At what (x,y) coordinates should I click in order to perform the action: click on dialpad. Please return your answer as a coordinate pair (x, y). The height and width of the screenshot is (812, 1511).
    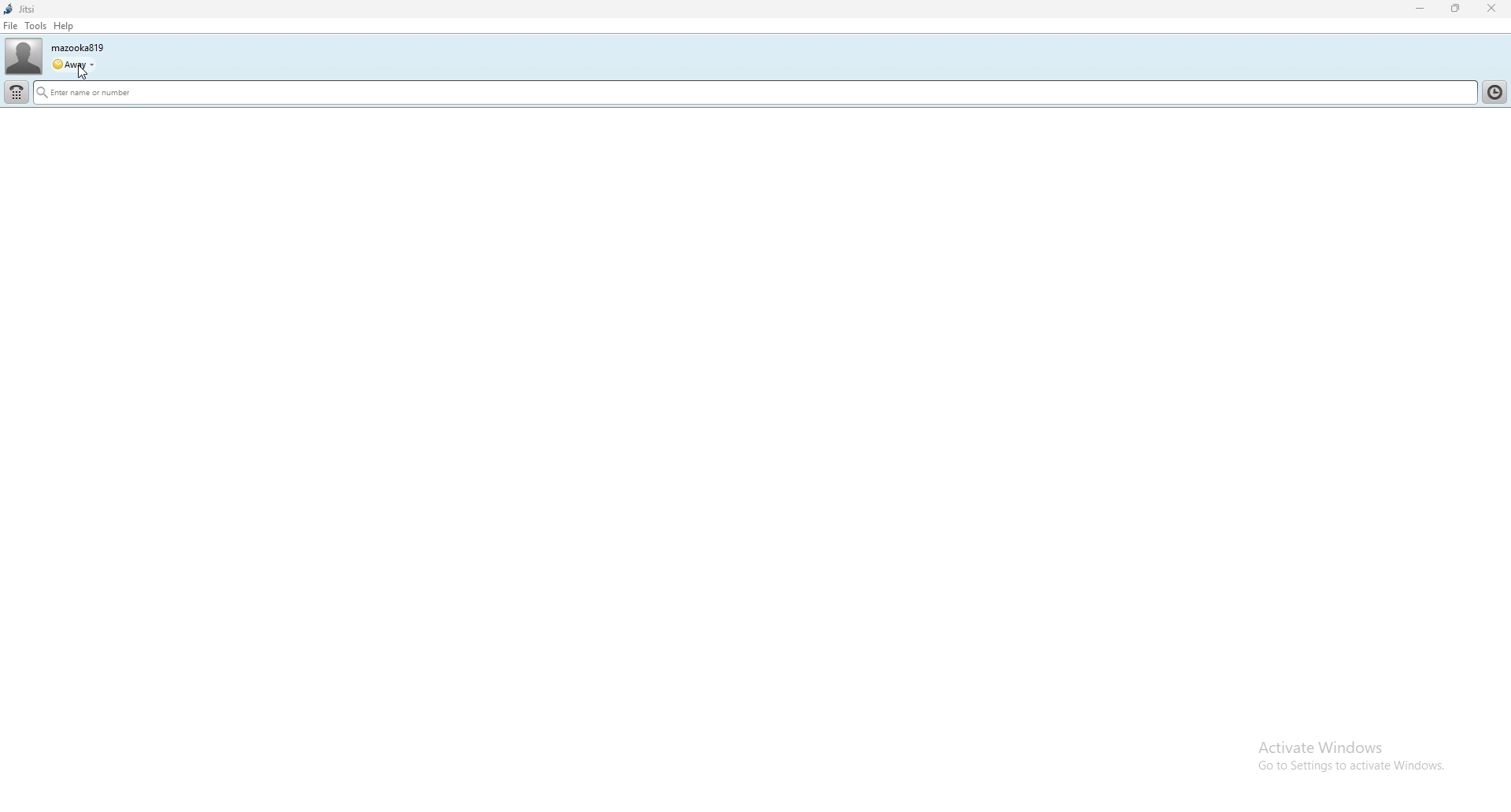
    Looking at the image, I should click on (17, 93).